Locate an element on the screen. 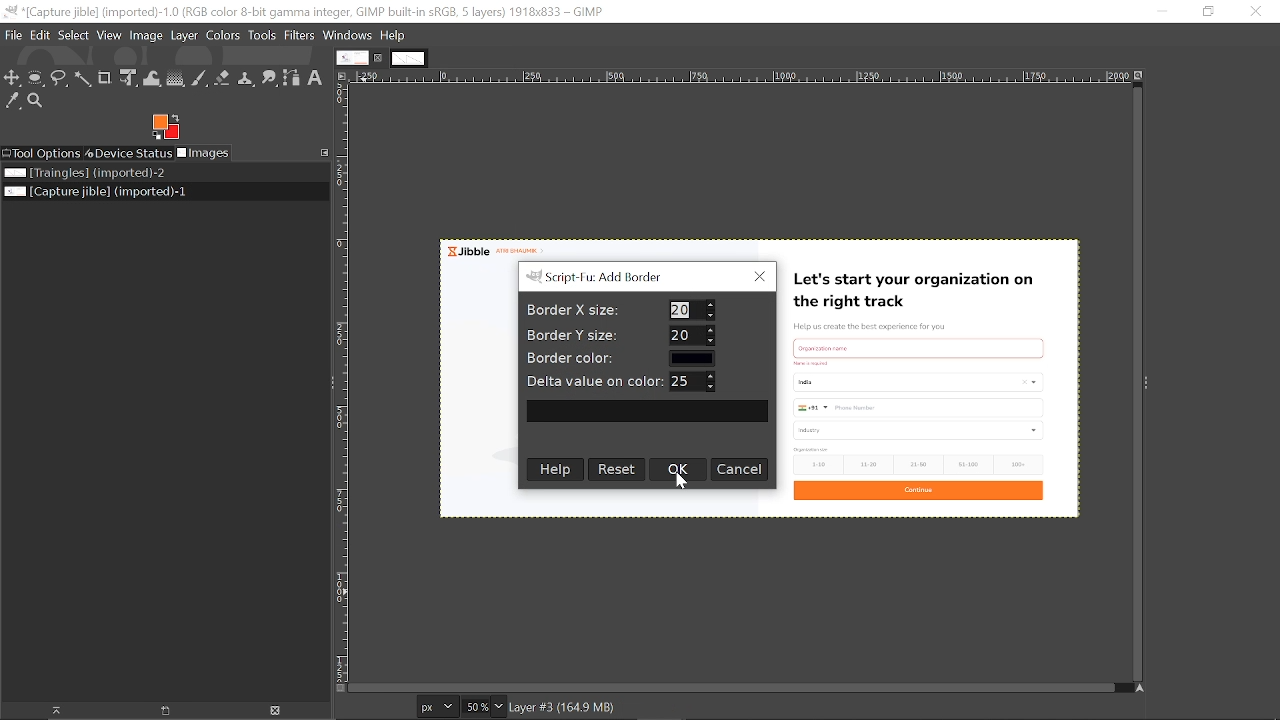  Paintbrush tool is located at coordinates (201, 79).